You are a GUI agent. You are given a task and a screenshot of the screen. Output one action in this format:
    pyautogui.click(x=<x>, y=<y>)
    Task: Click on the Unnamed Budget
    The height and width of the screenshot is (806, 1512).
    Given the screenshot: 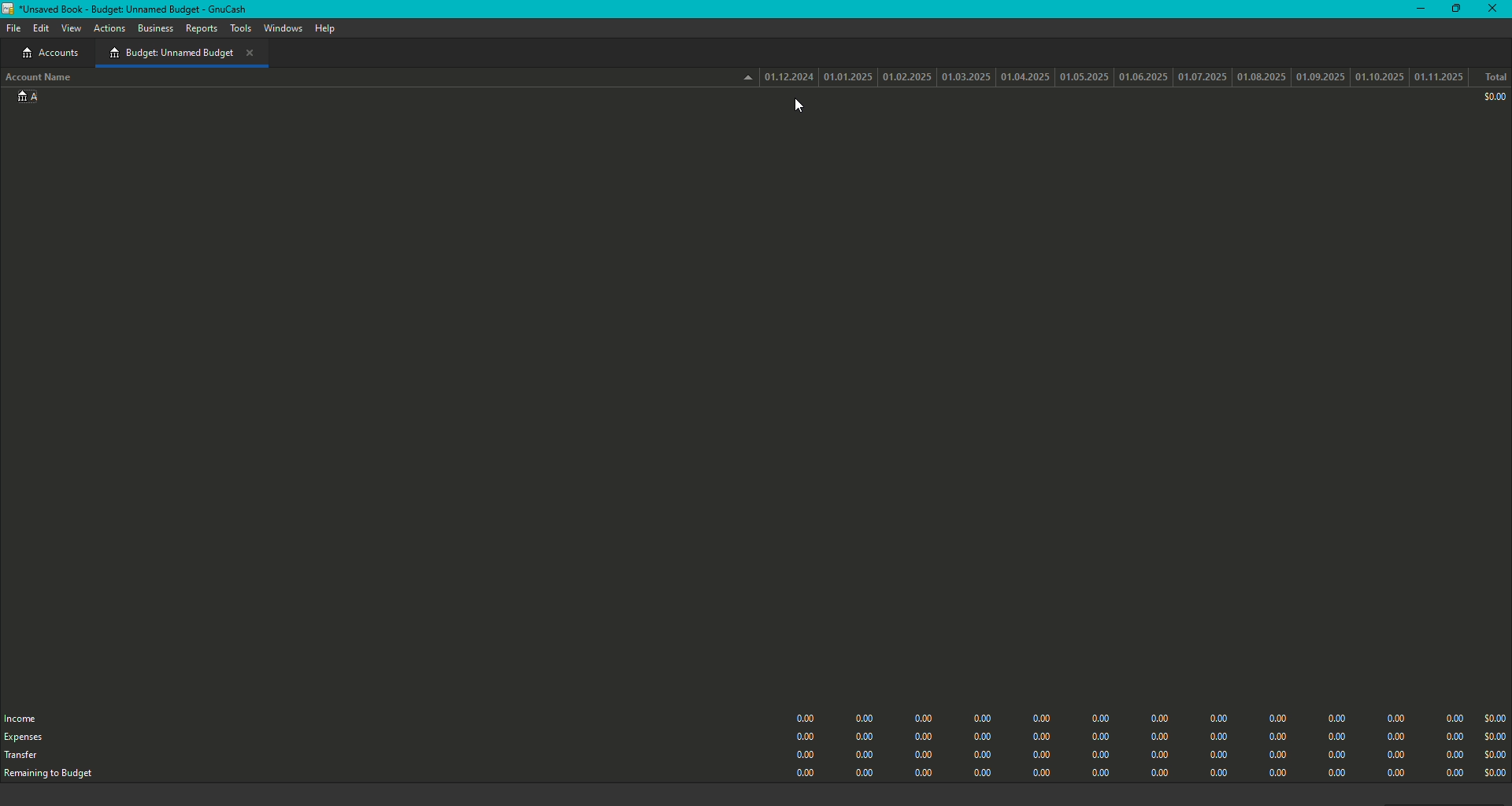 What is the action you would take?
    pyautogui.click(x=181, y=53)
    